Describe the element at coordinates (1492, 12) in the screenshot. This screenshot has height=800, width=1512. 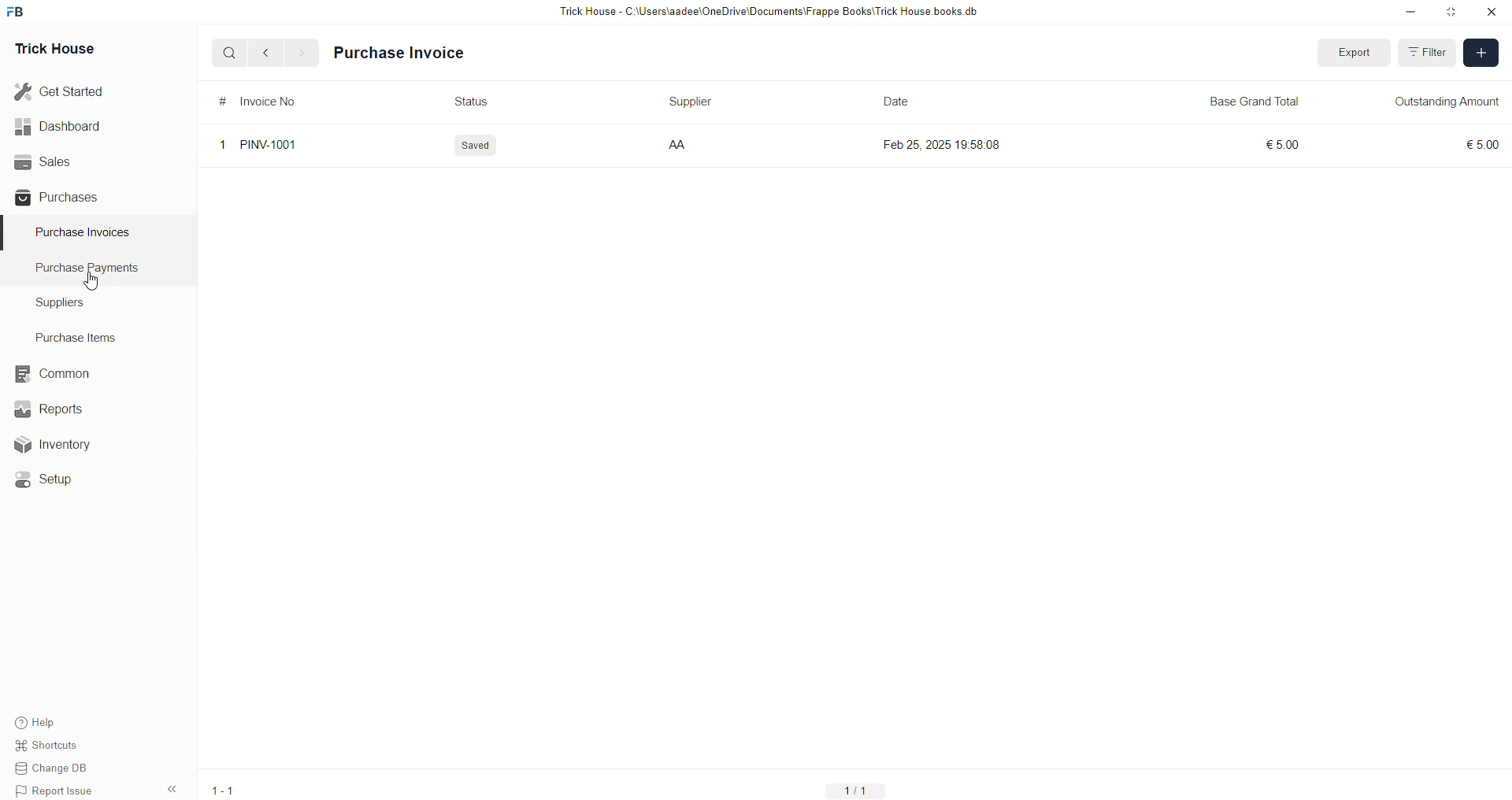
I see `close` at that location.